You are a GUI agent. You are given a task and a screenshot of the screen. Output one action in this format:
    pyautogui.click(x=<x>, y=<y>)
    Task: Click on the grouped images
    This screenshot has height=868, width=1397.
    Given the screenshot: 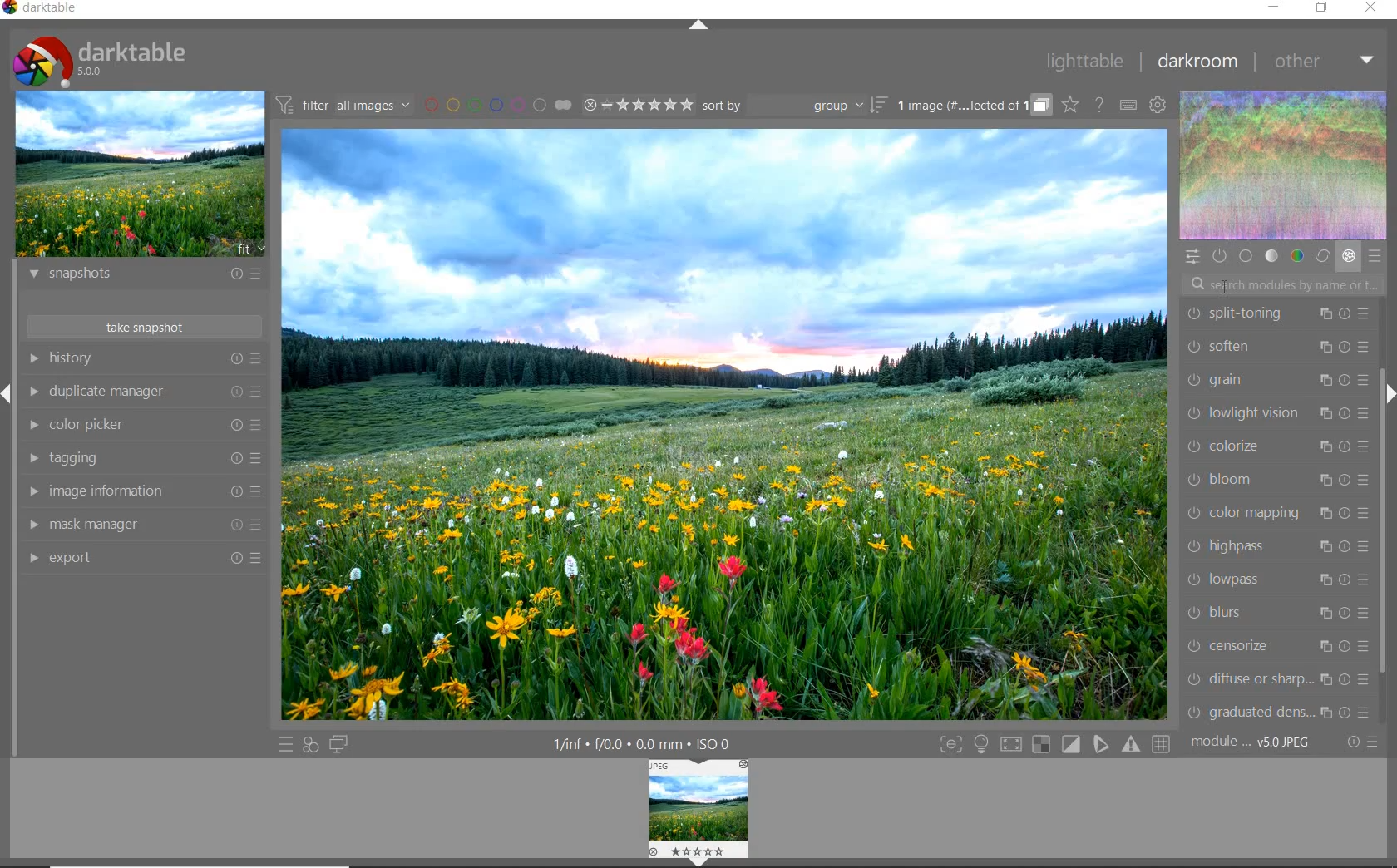 What is the action you would take?
    pyautogui.click(x=972, y=106)
    